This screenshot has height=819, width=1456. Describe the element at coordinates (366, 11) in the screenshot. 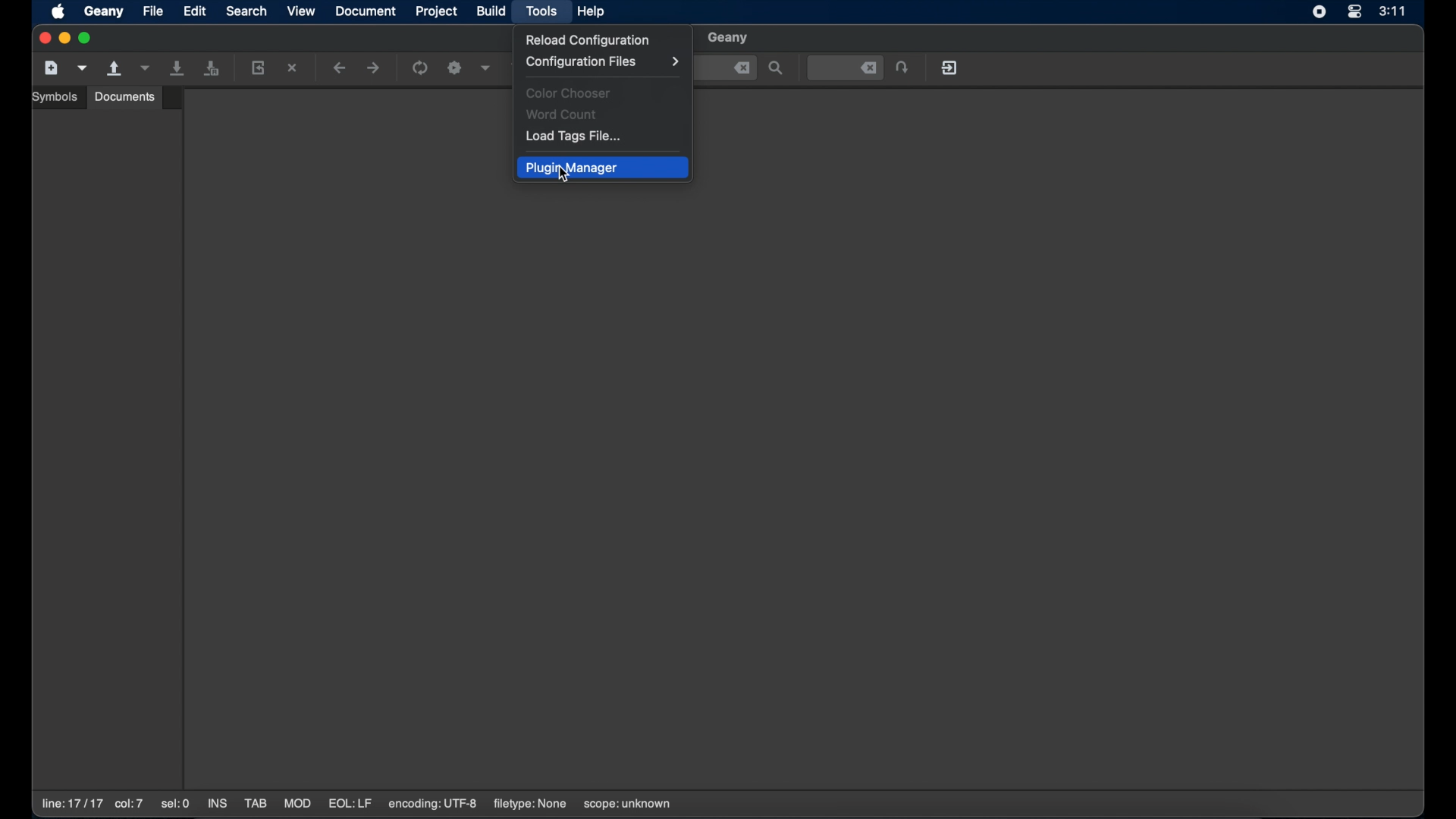

I see `document` at that location.